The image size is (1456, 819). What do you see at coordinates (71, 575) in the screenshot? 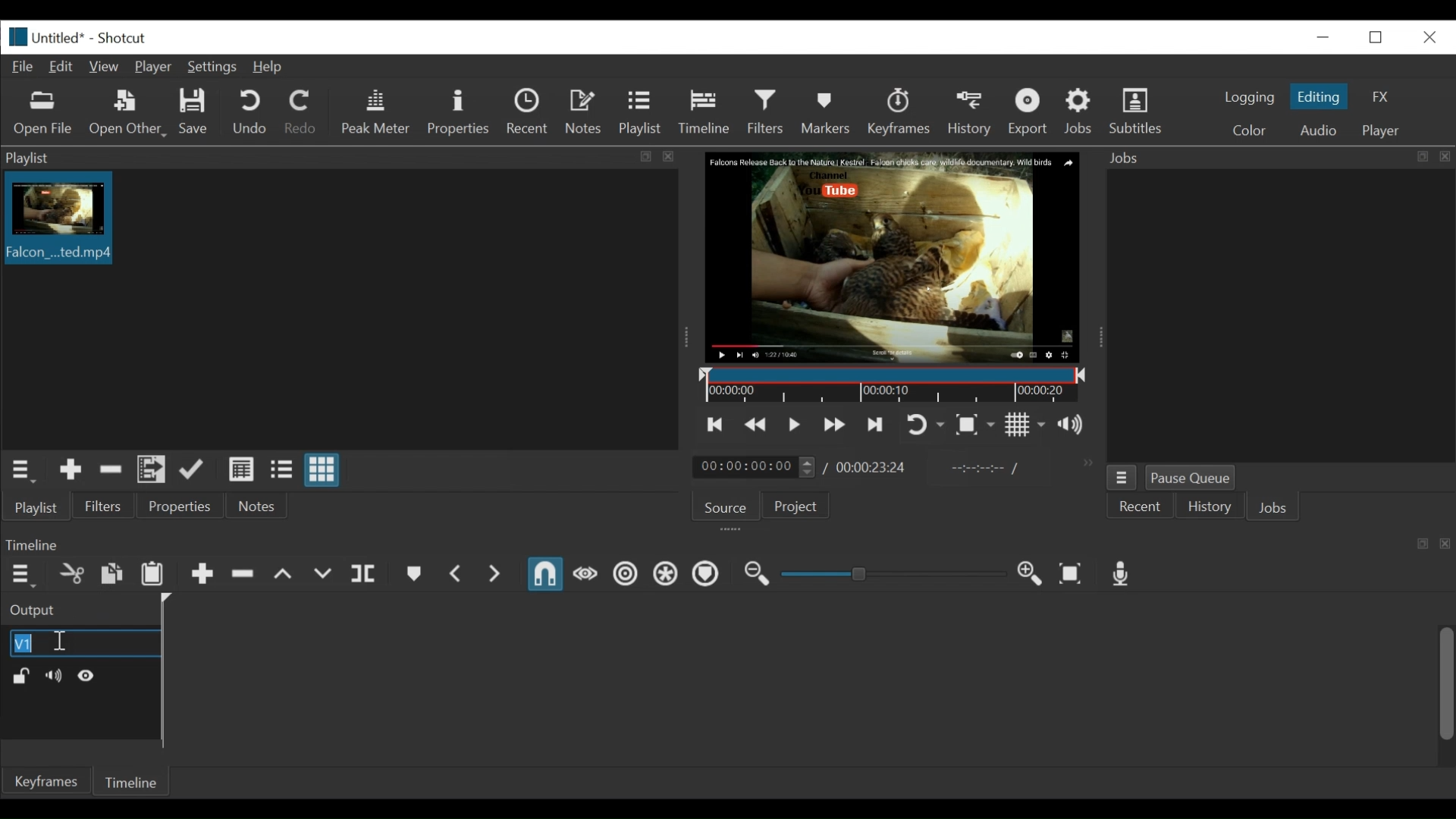
I see `Cut` at bounding box center [71, 575].